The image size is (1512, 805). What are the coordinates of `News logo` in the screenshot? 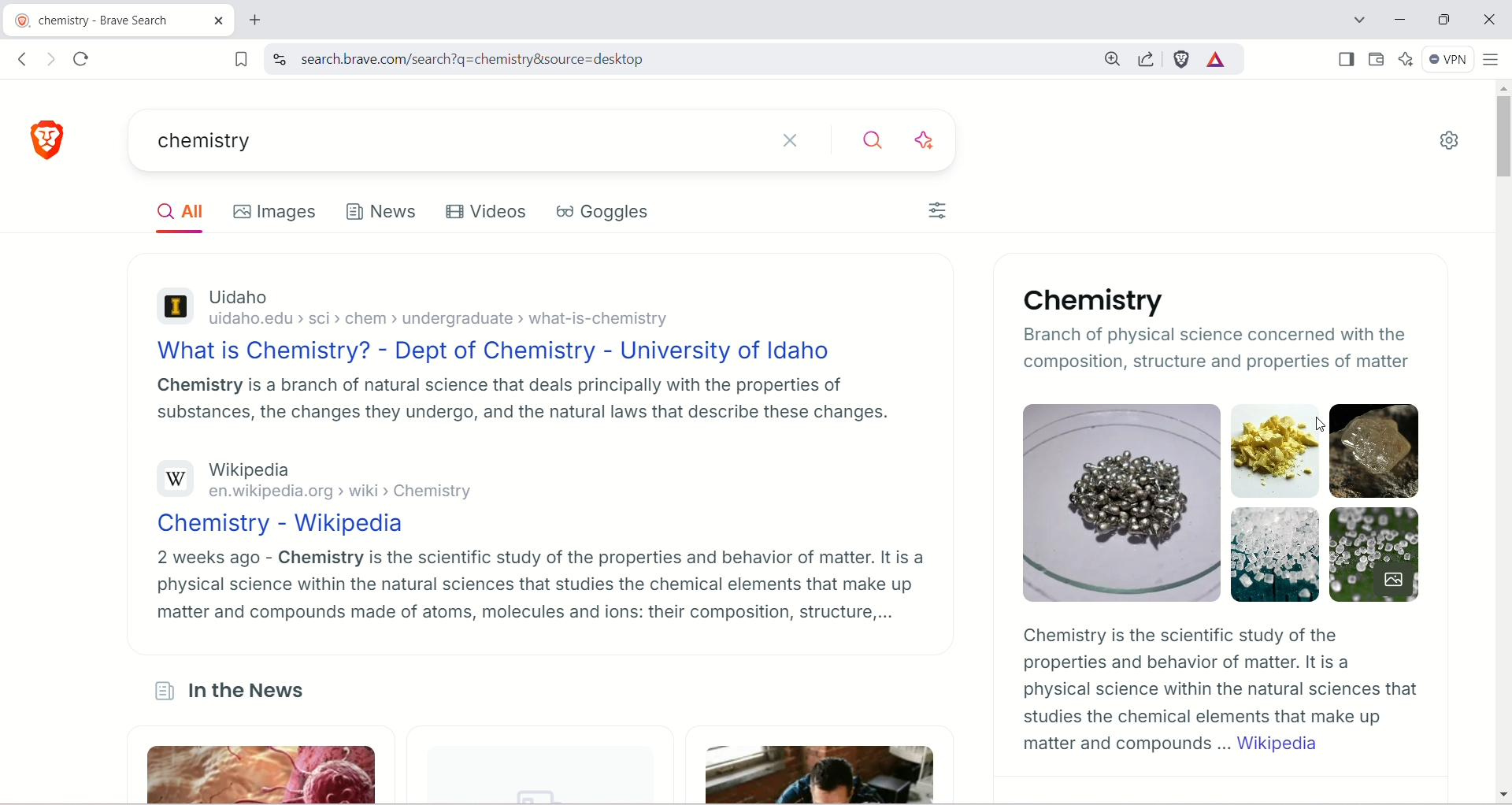 It's located at (161, 689).